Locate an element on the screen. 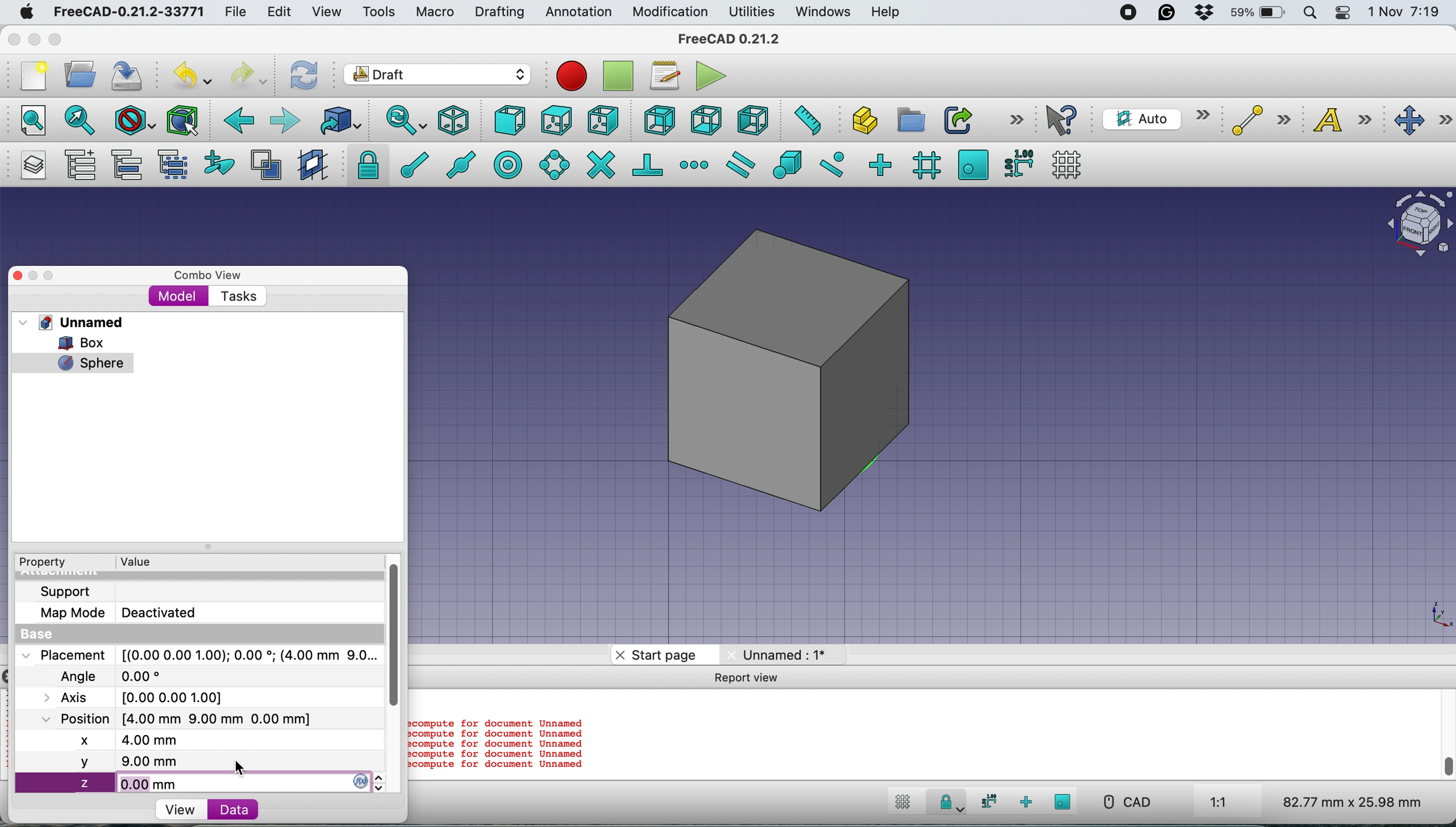 The width and height of the screenshot is (1456, 827). windows is located at coordinates (825, 12).